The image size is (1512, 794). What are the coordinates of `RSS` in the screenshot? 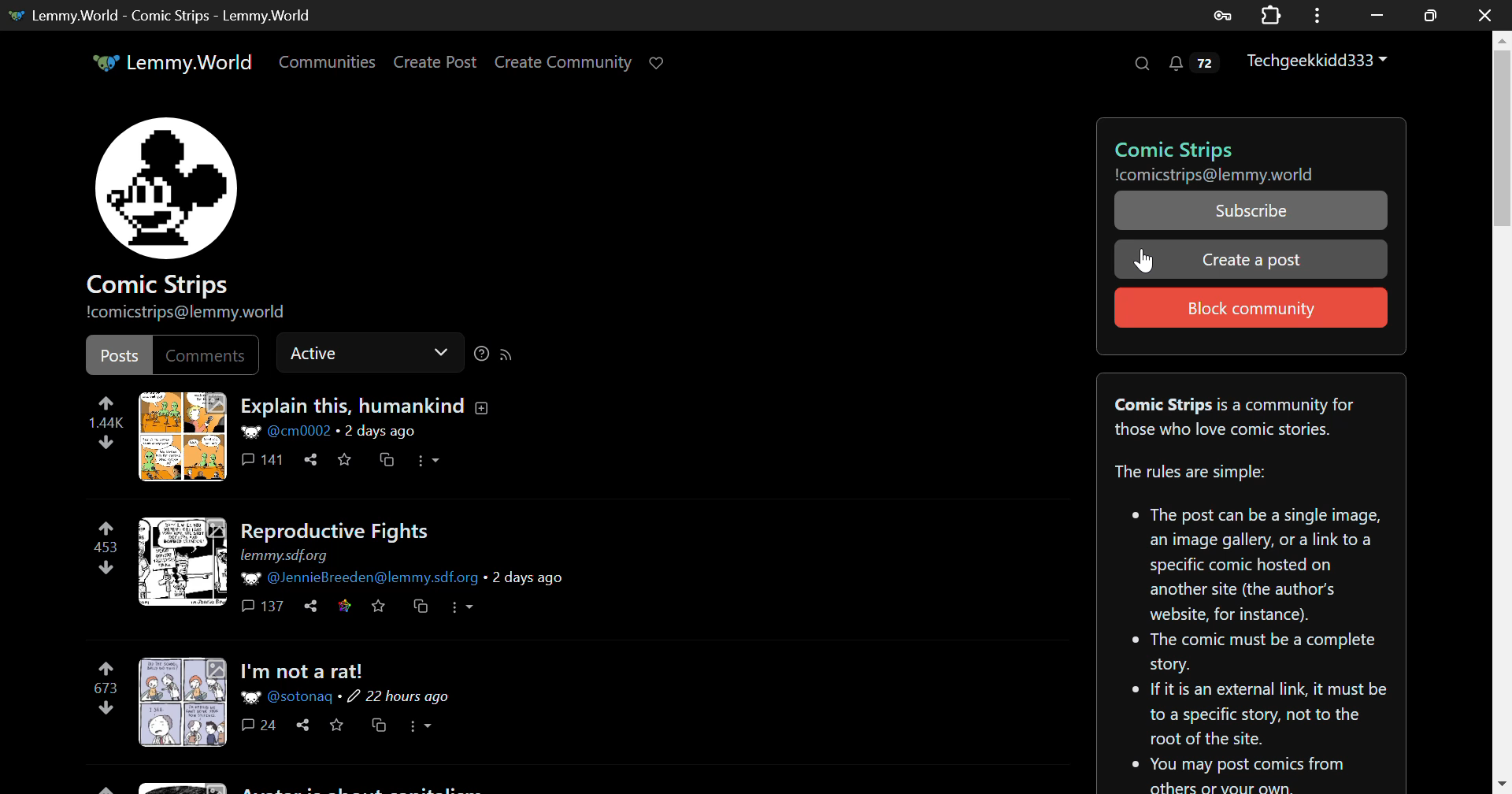 It's located at (506, 354).